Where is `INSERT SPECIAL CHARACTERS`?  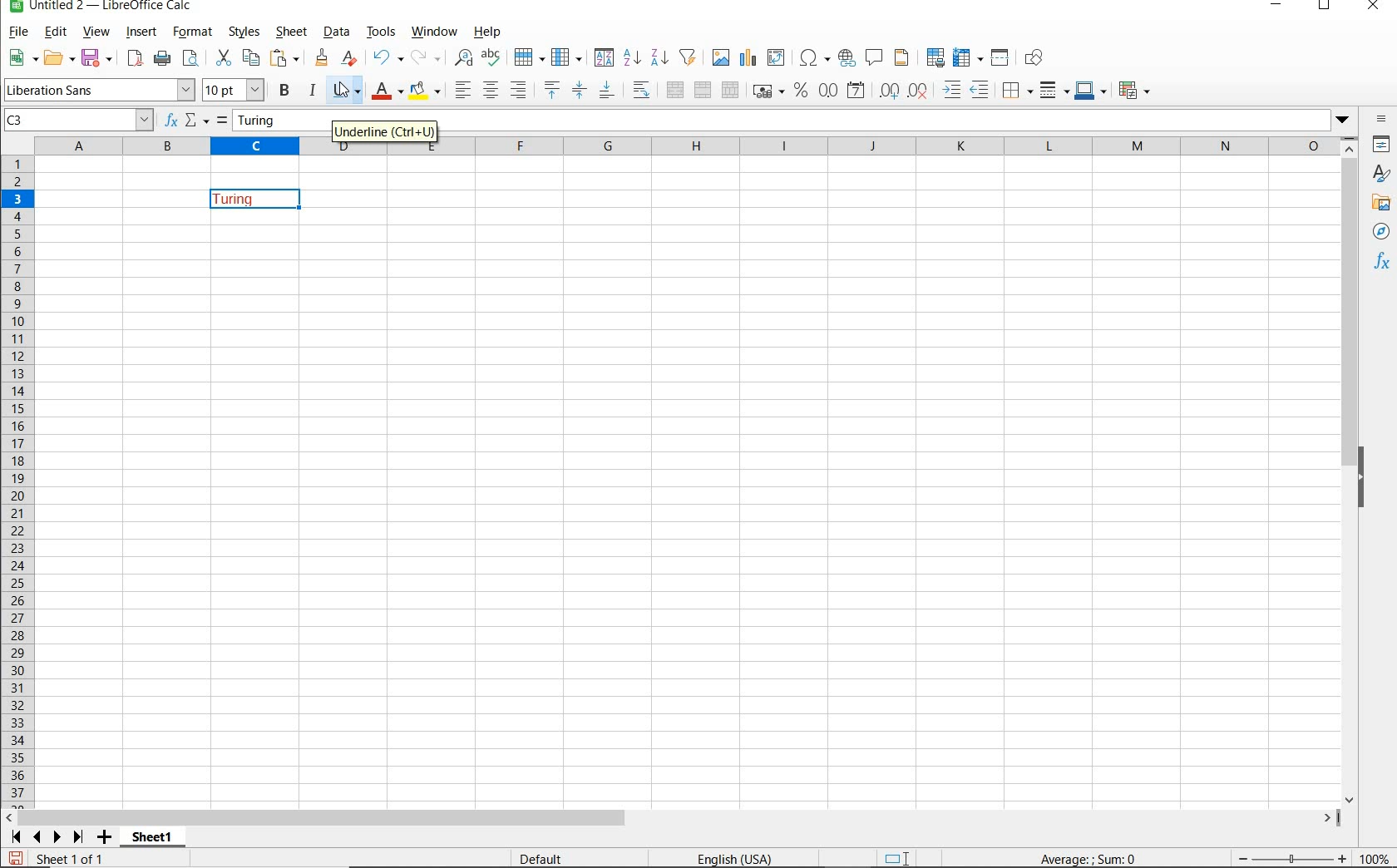 INSERT SPECIAL CHARACTERS is located at coordinates (813, 59).